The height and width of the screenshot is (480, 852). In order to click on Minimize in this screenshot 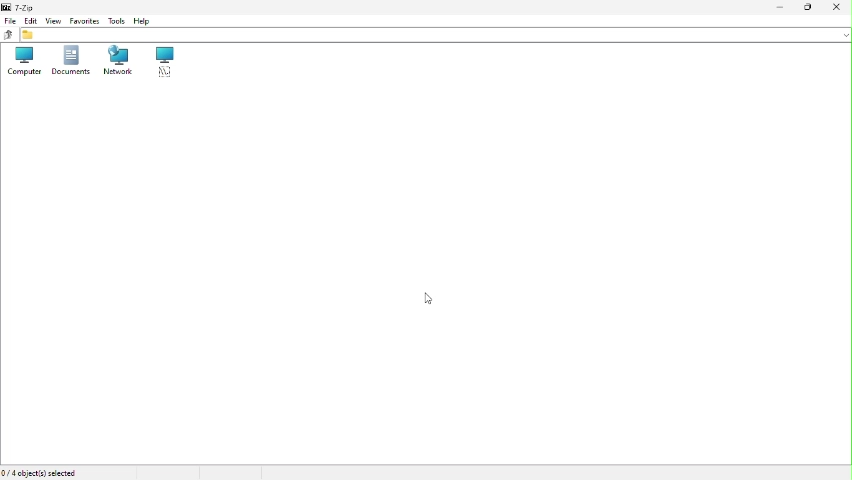, I will do `click(777, 8)`.